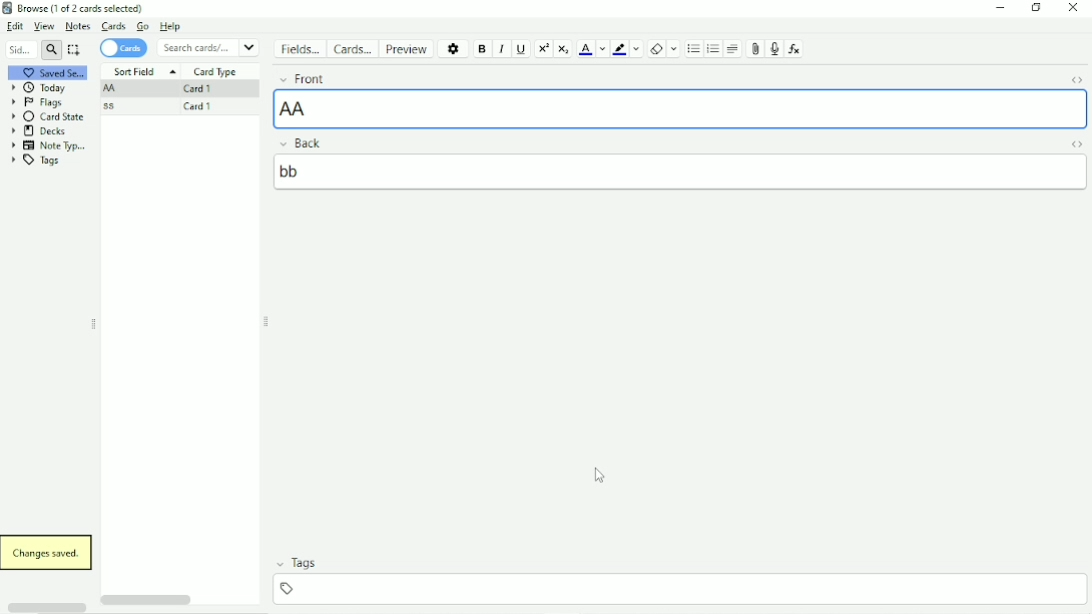  What do you see at coordinates (502, 49) in the screenshot?
I see `Italic` at bounding box center [502, 49].